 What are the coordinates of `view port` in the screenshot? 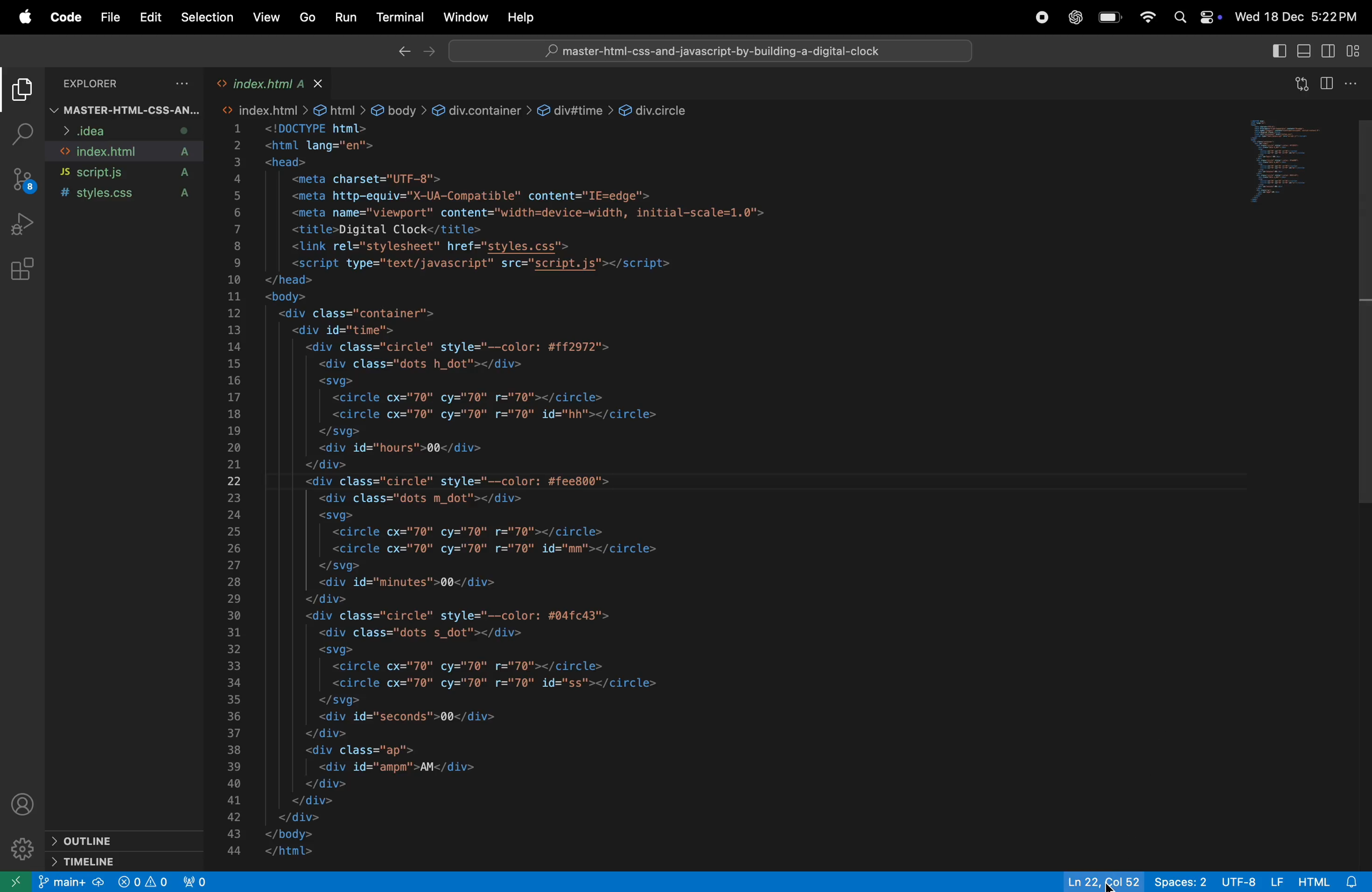 It's located at (197, 881).